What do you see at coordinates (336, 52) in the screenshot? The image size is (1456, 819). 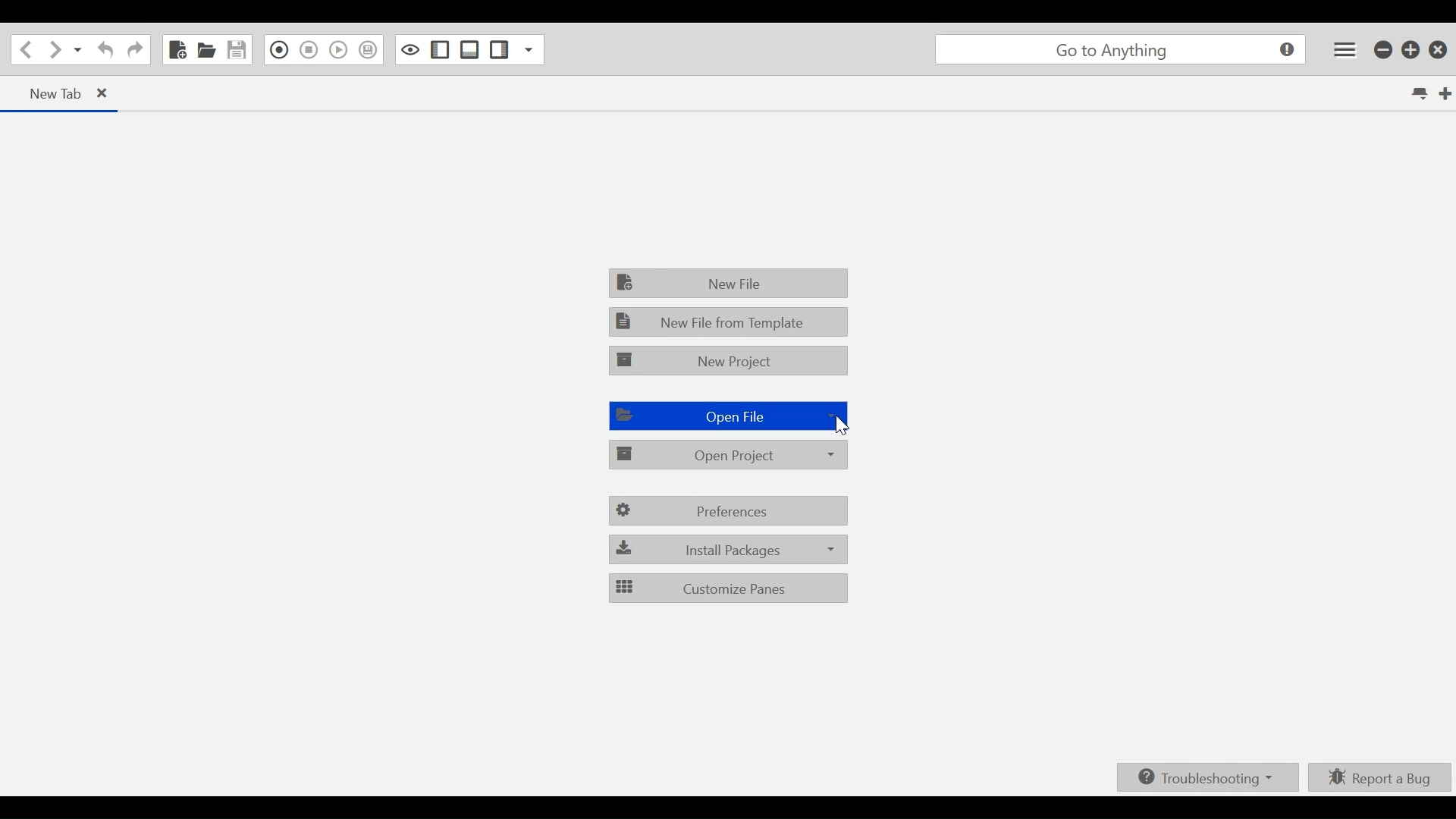 I see `Play Last Macro` at bounding box center [336, 52].